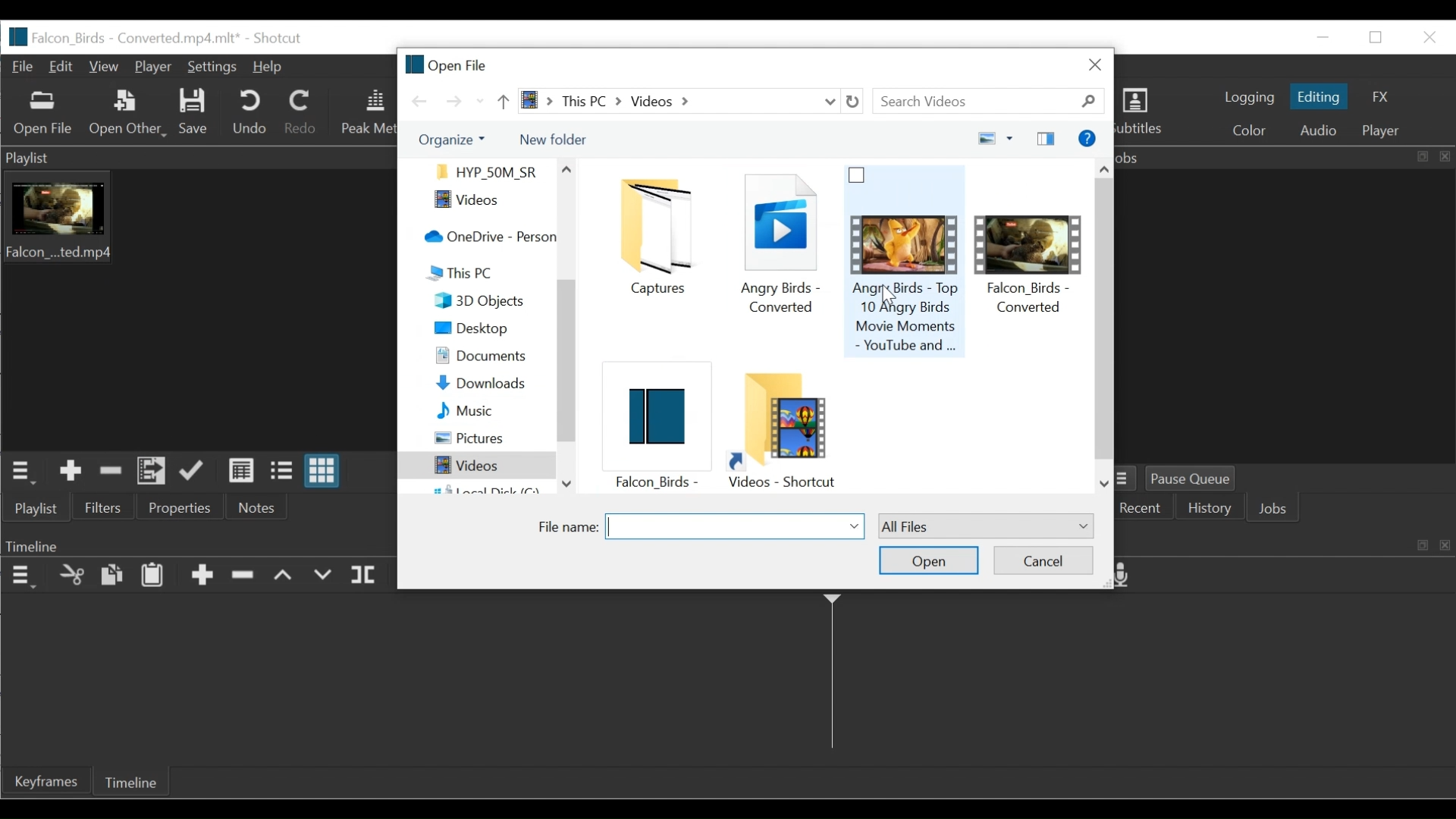  Describe the element at coordinates (566, 378) in the screenshot. I see `Vertical Scroll bar` at that location.